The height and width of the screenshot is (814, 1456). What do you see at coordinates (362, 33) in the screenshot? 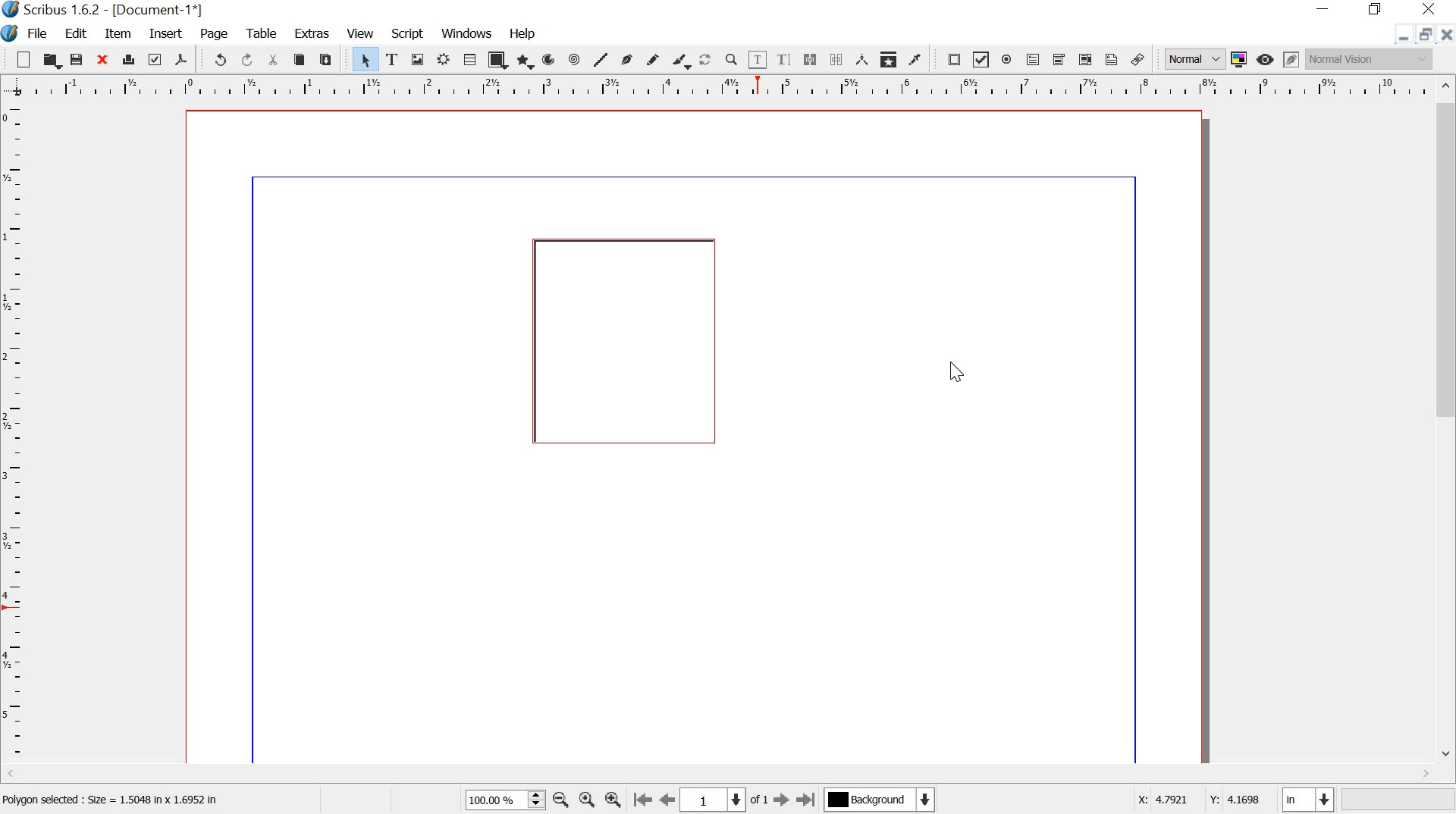
I see `view` at bounding box center [362, 33].